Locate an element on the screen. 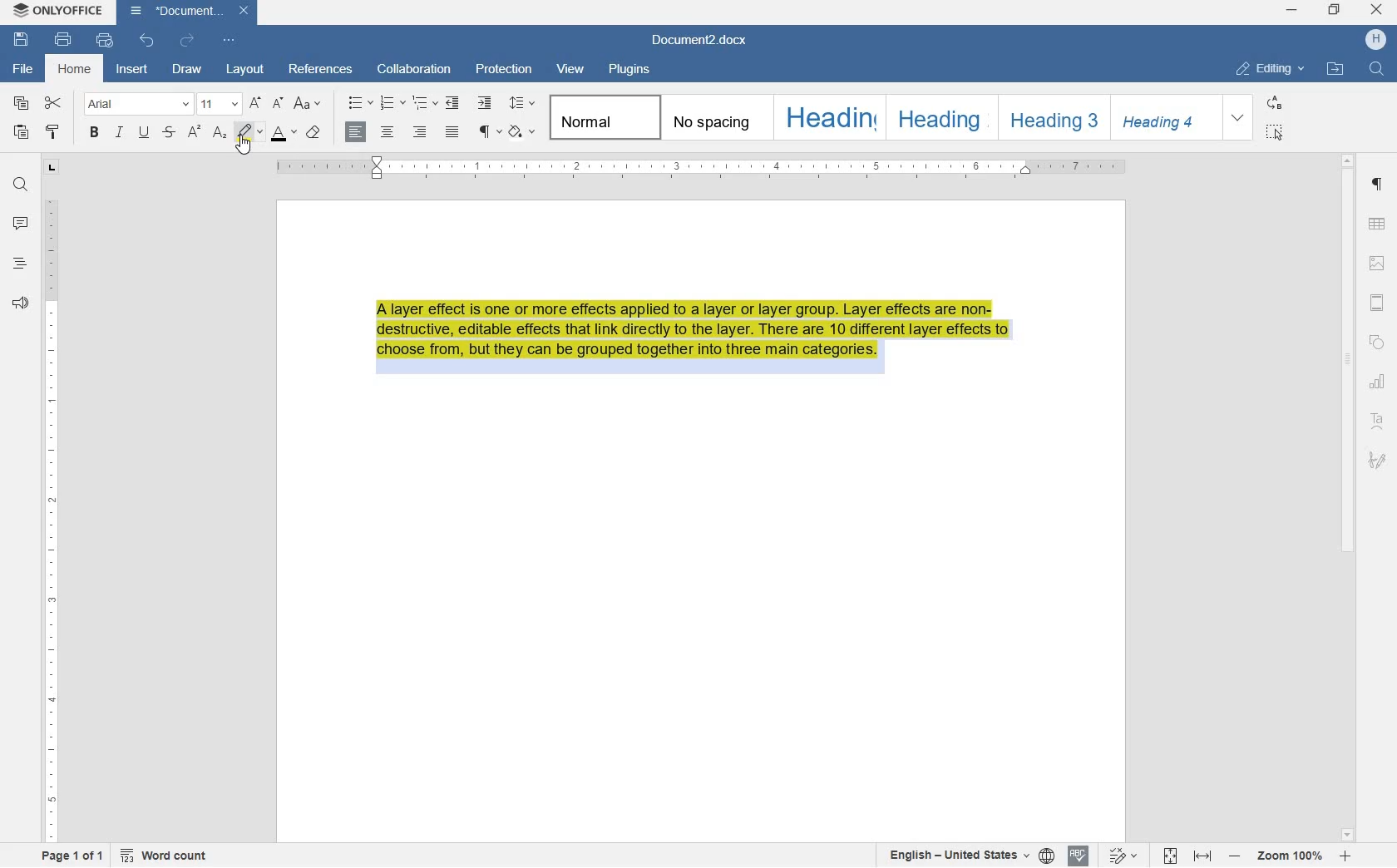 This screenshot has height=868, width=1397. scrollbar is located at coordinates (1346, 497).